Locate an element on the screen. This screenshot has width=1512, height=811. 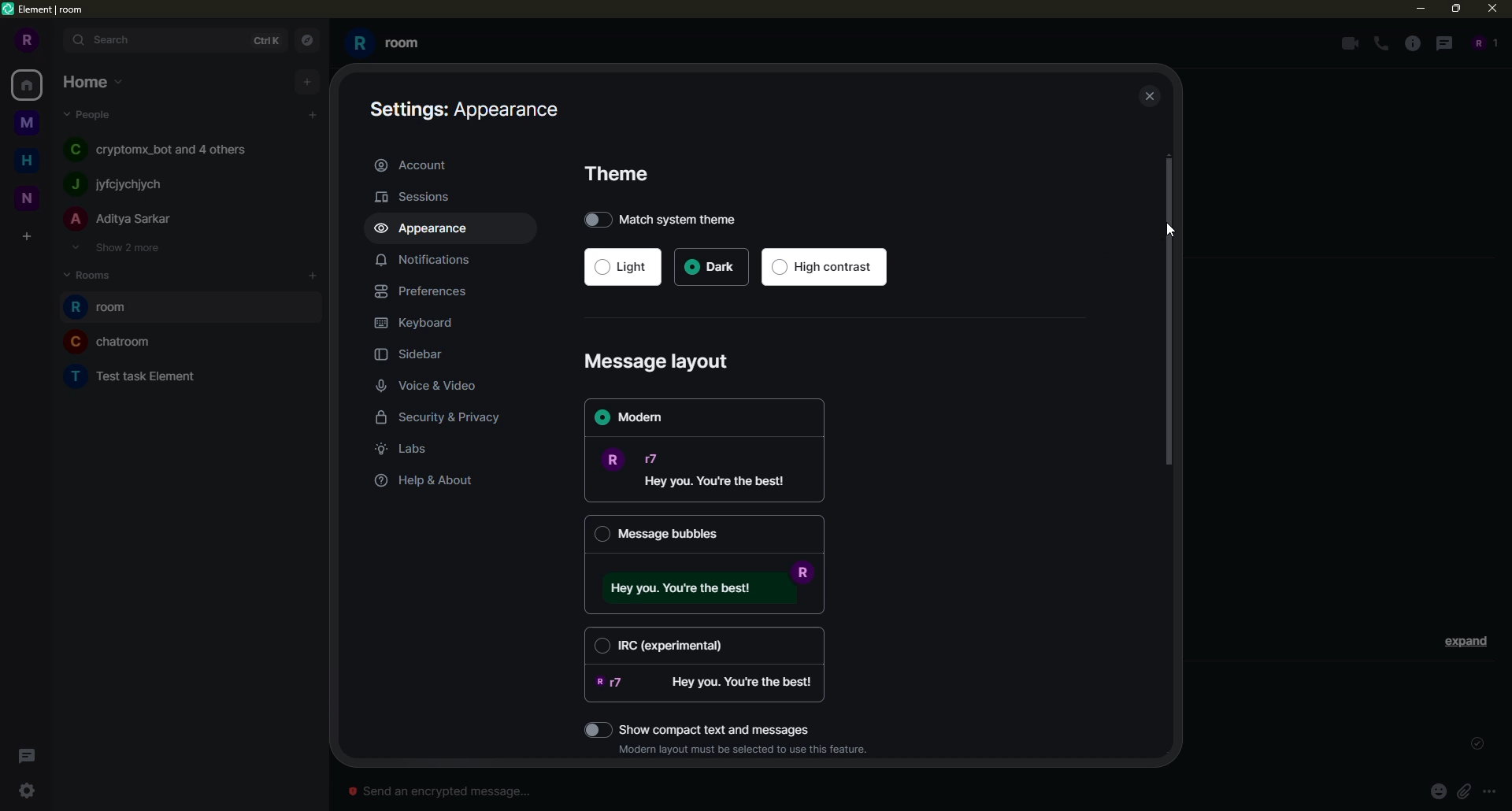
security & privacy is located at coordinates (450, 420).